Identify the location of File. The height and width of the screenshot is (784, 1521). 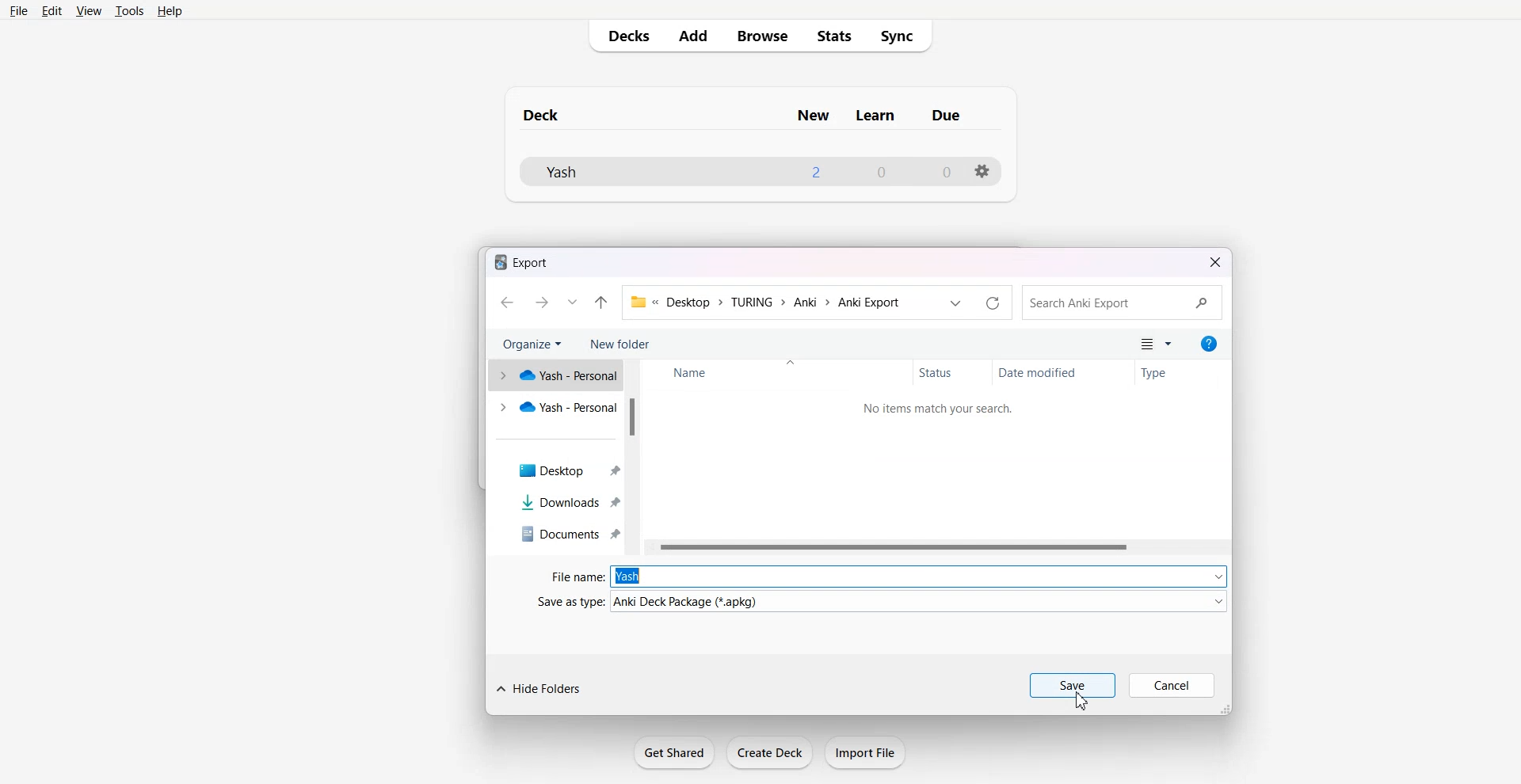
(19, 12).